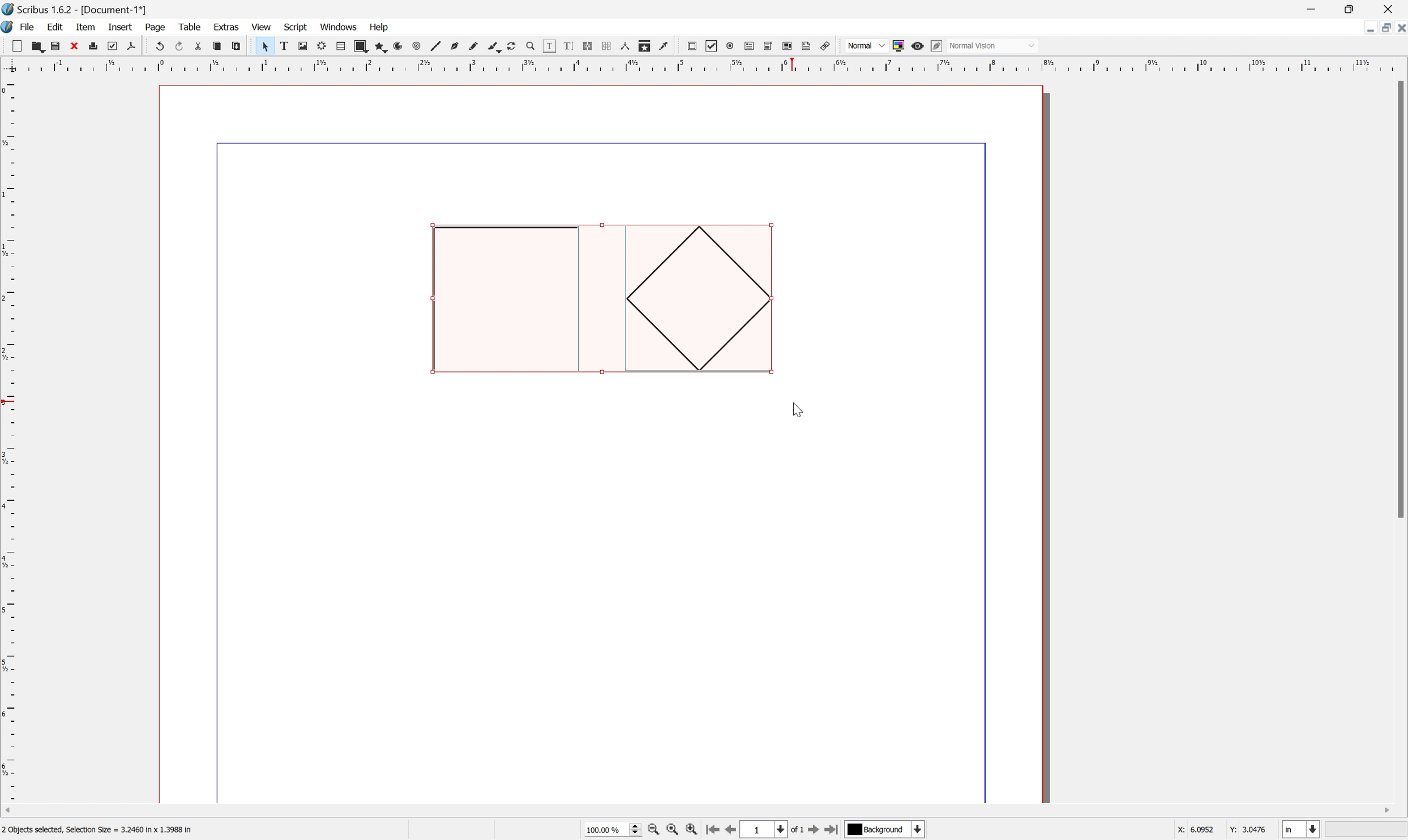 This screenshot has width=1408, height=840. I want to click on pdf combo box, so click(768, 46).